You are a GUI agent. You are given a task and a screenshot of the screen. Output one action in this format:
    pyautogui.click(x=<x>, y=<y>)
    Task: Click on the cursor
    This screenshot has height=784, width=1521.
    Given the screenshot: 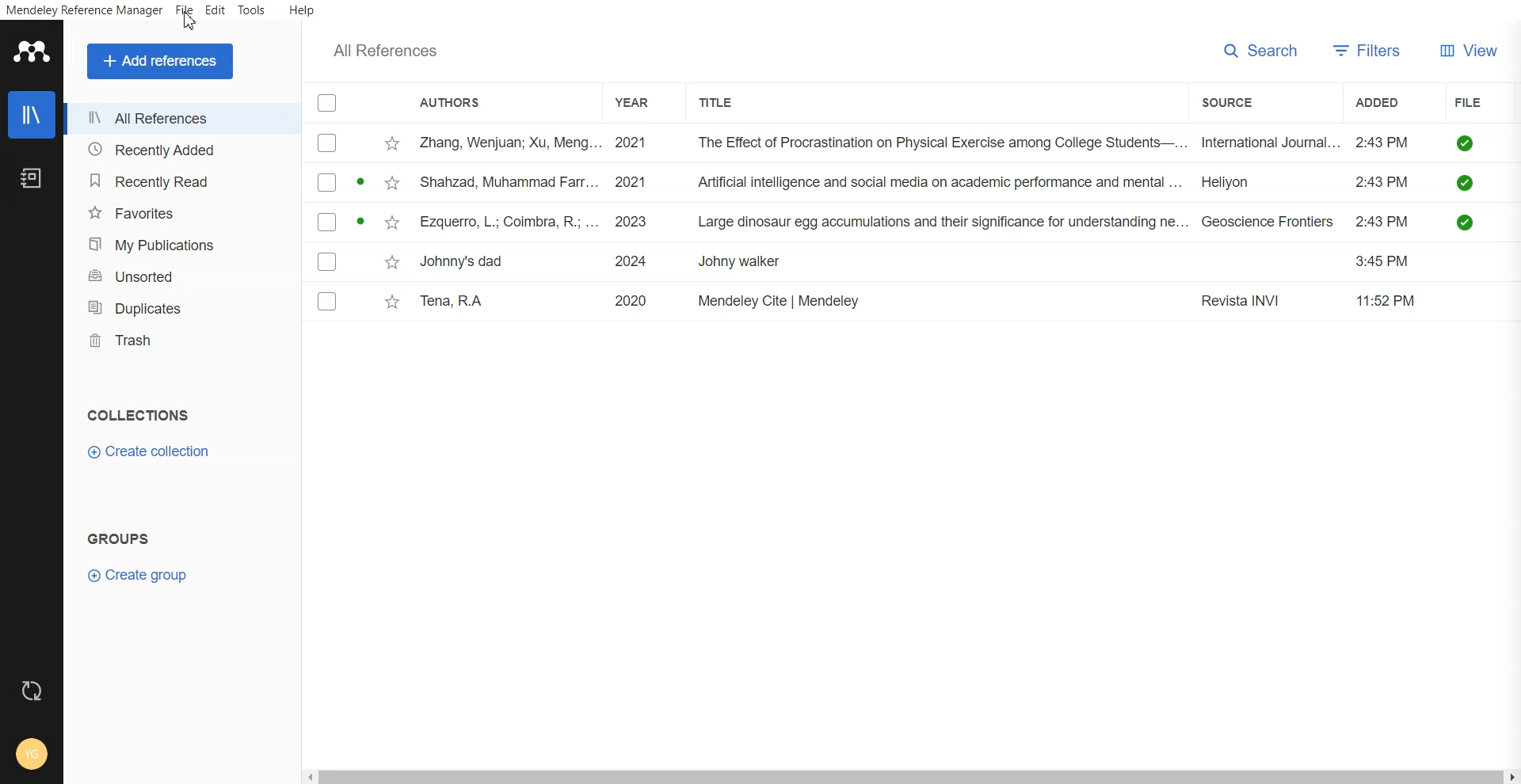 What is the action you would take?
    pyautogui.click(x=188, y=21)
    